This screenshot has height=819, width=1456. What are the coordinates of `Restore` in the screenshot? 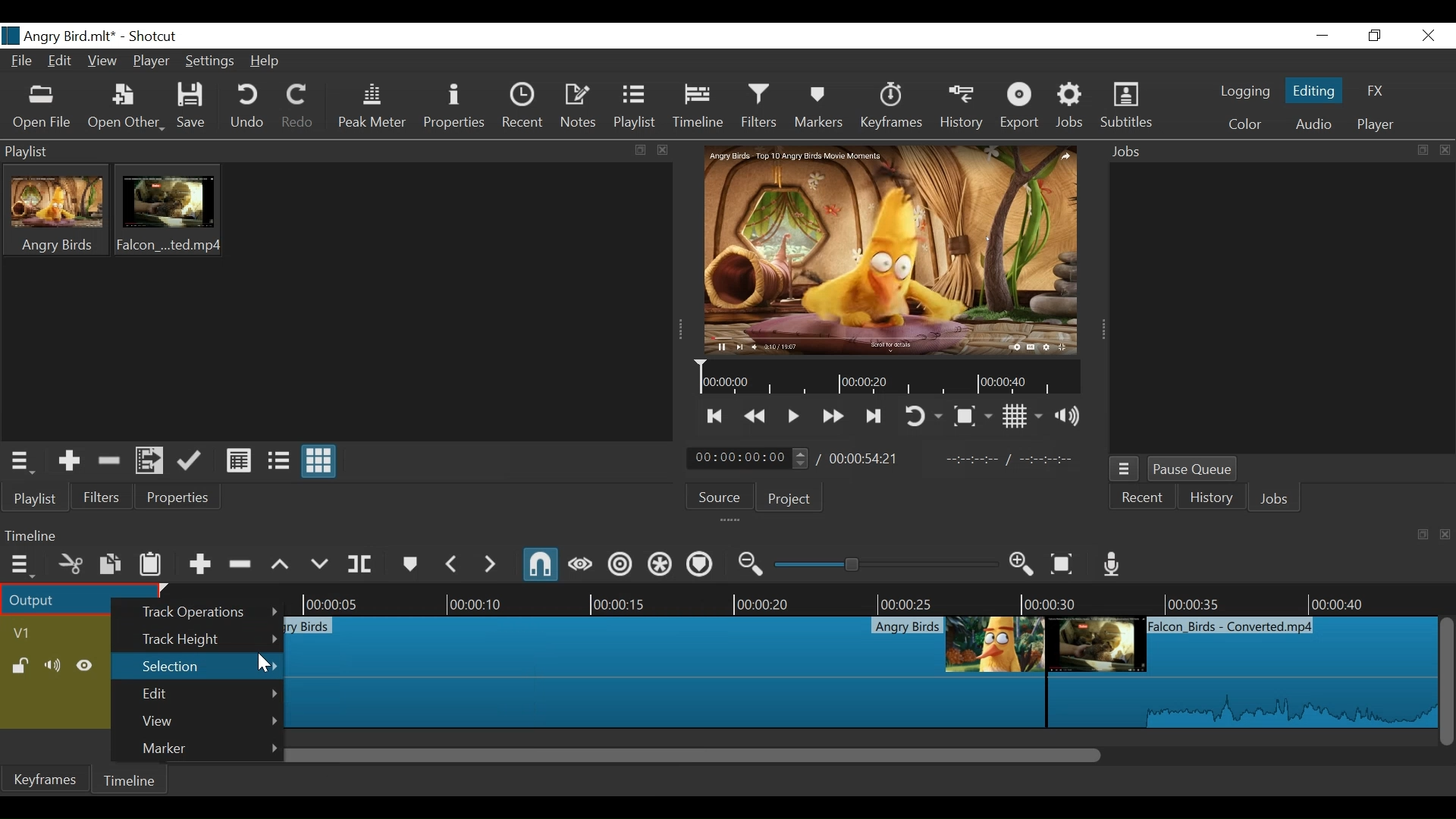 It's located at (1376, 36).